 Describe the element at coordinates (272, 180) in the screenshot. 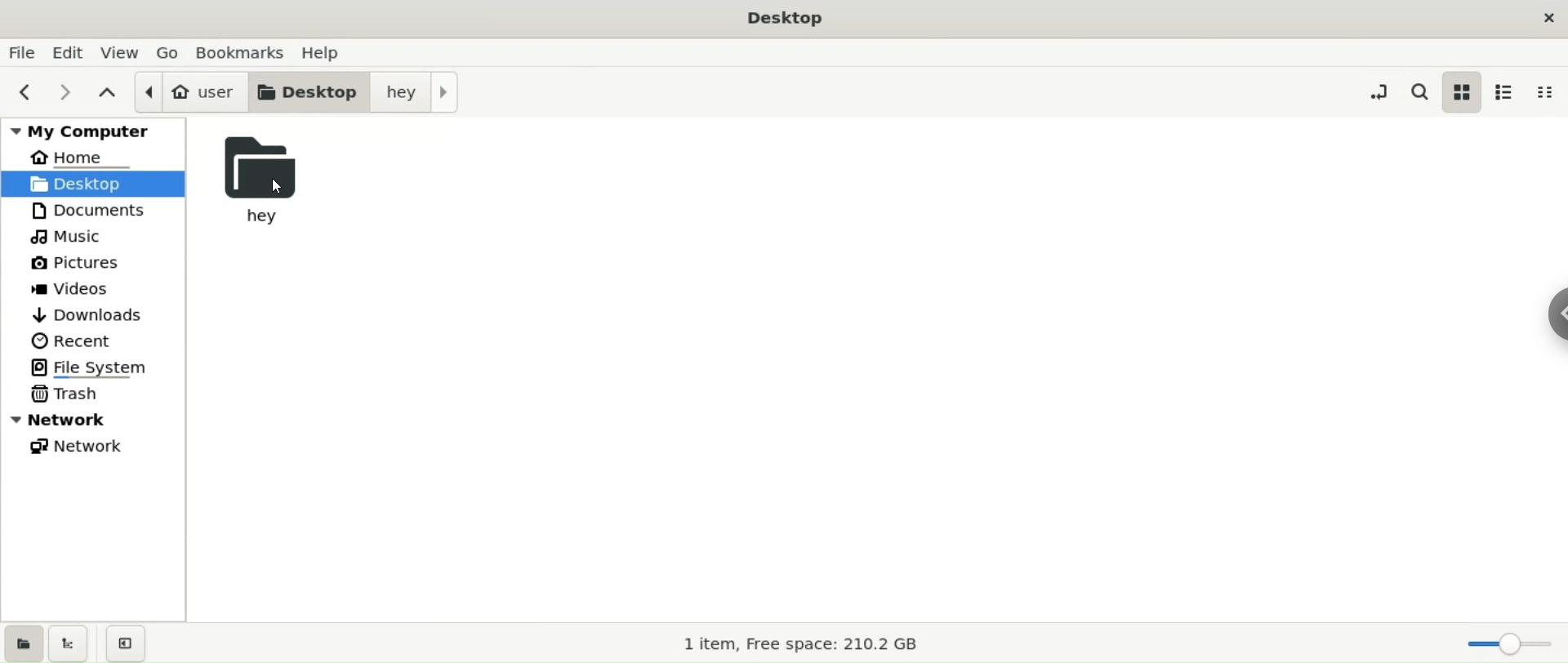

I see `hey` at that location.